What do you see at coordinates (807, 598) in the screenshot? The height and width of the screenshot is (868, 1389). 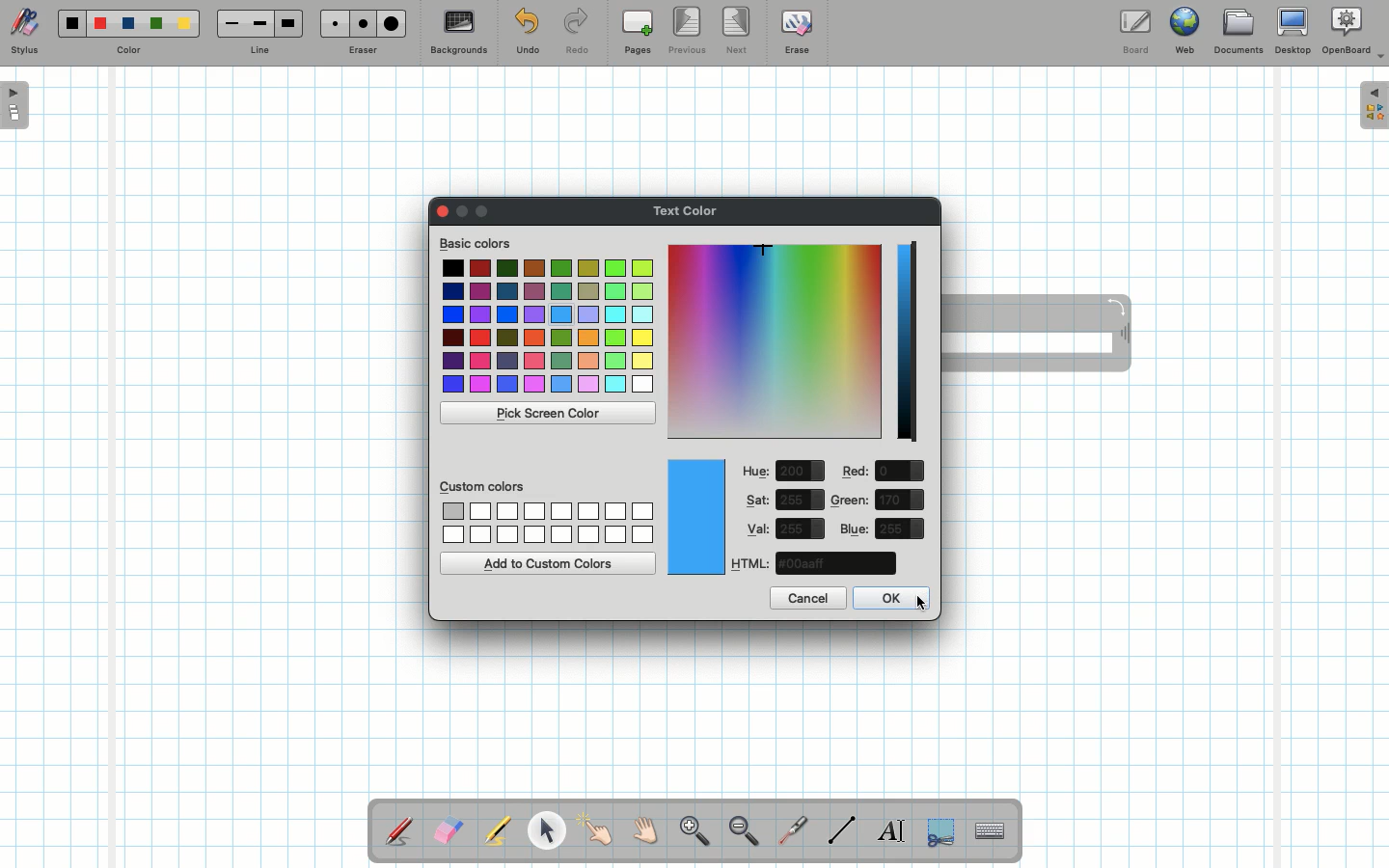 I see `Cancel` at bounding box center [807, 598].